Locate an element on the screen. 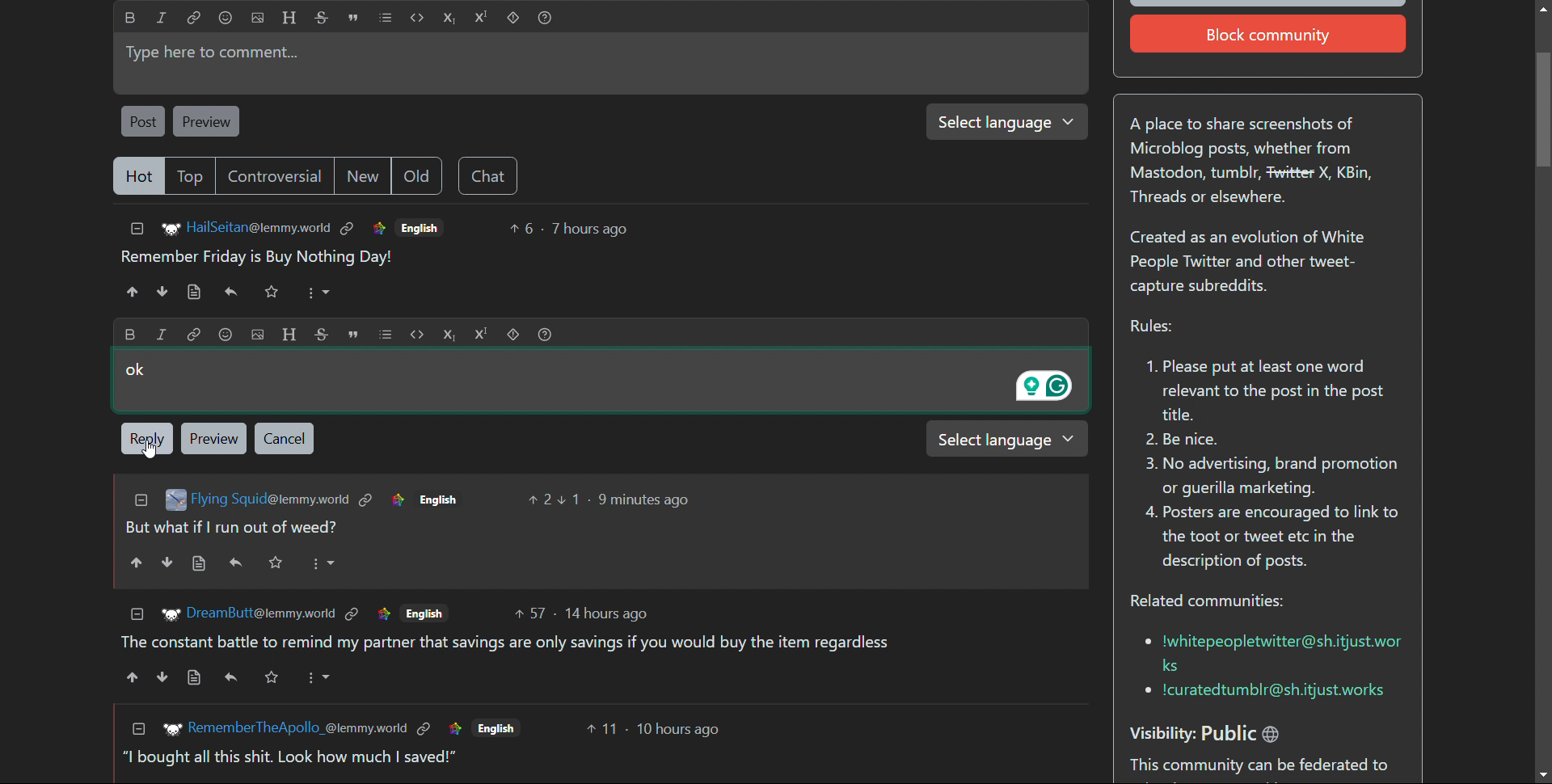 Image resolution: width=1552 pixels, height=784 pixels. language is located at coordinates (428, 613).